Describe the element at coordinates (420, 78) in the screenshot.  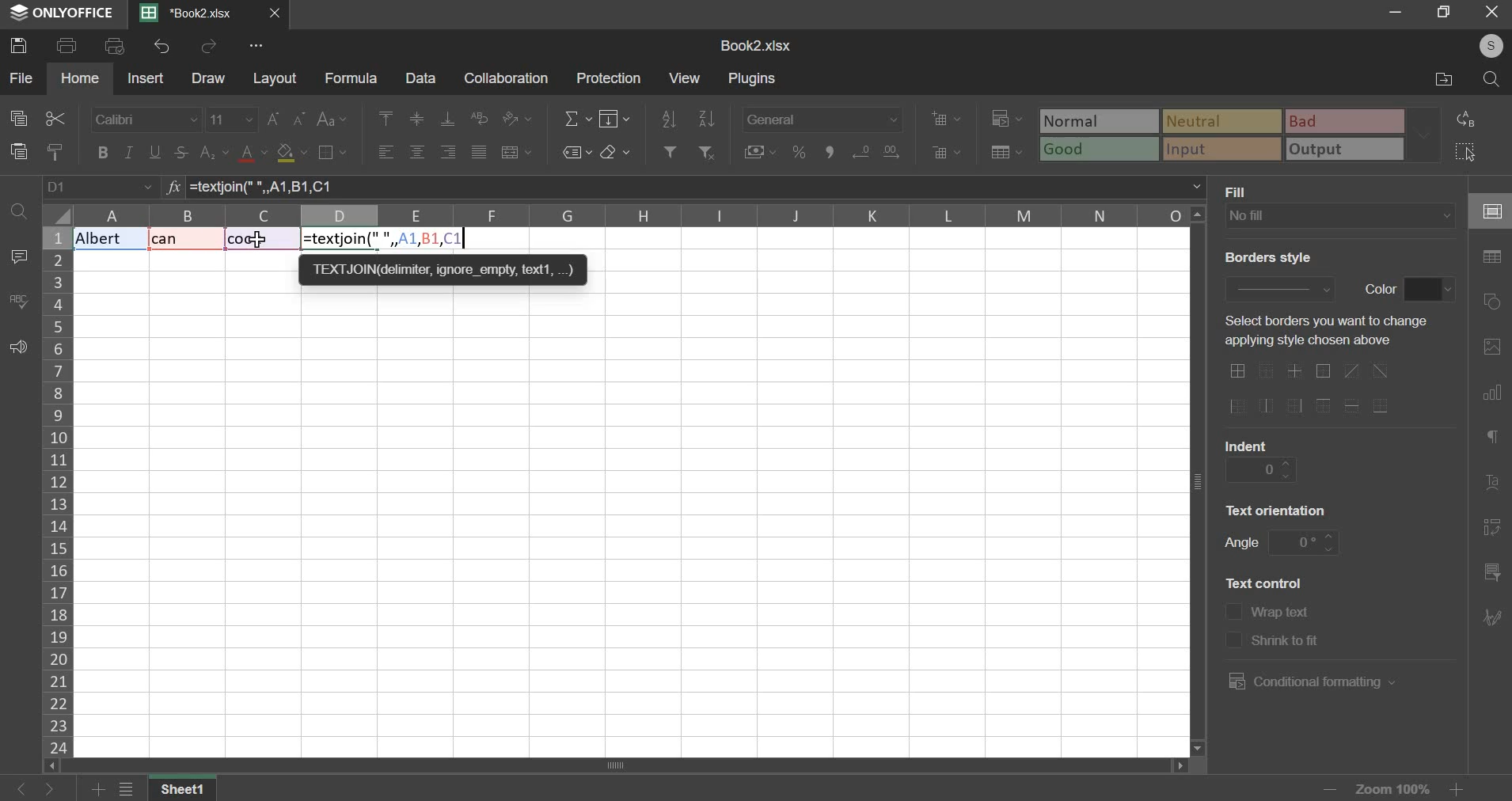
I see `data` at that location.